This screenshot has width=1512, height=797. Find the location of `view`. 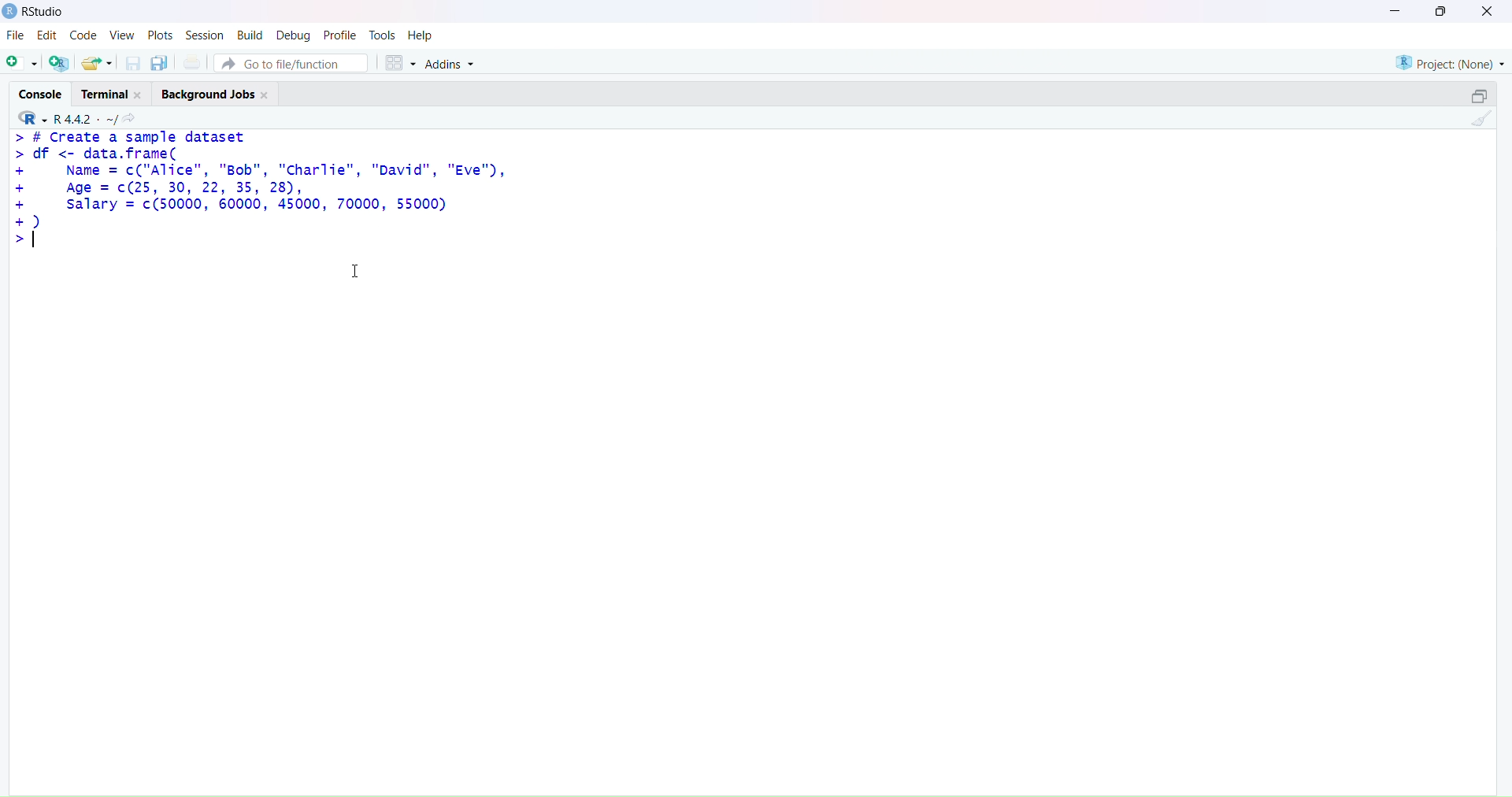

view is located at coordinates (121, 34).